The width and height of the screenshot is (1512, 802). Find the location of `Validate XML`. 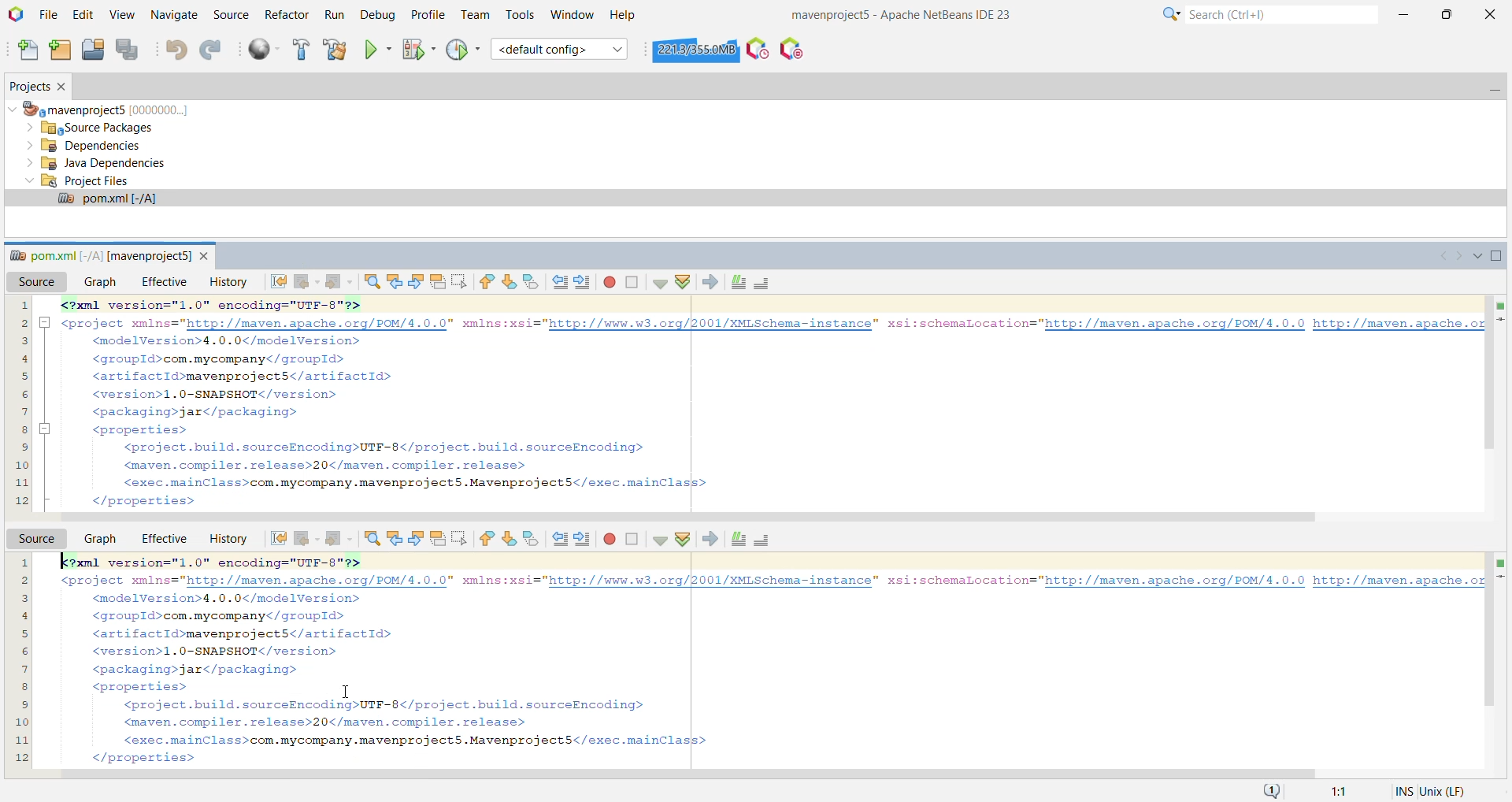

Validate XML is located at coordinates (682, 282).